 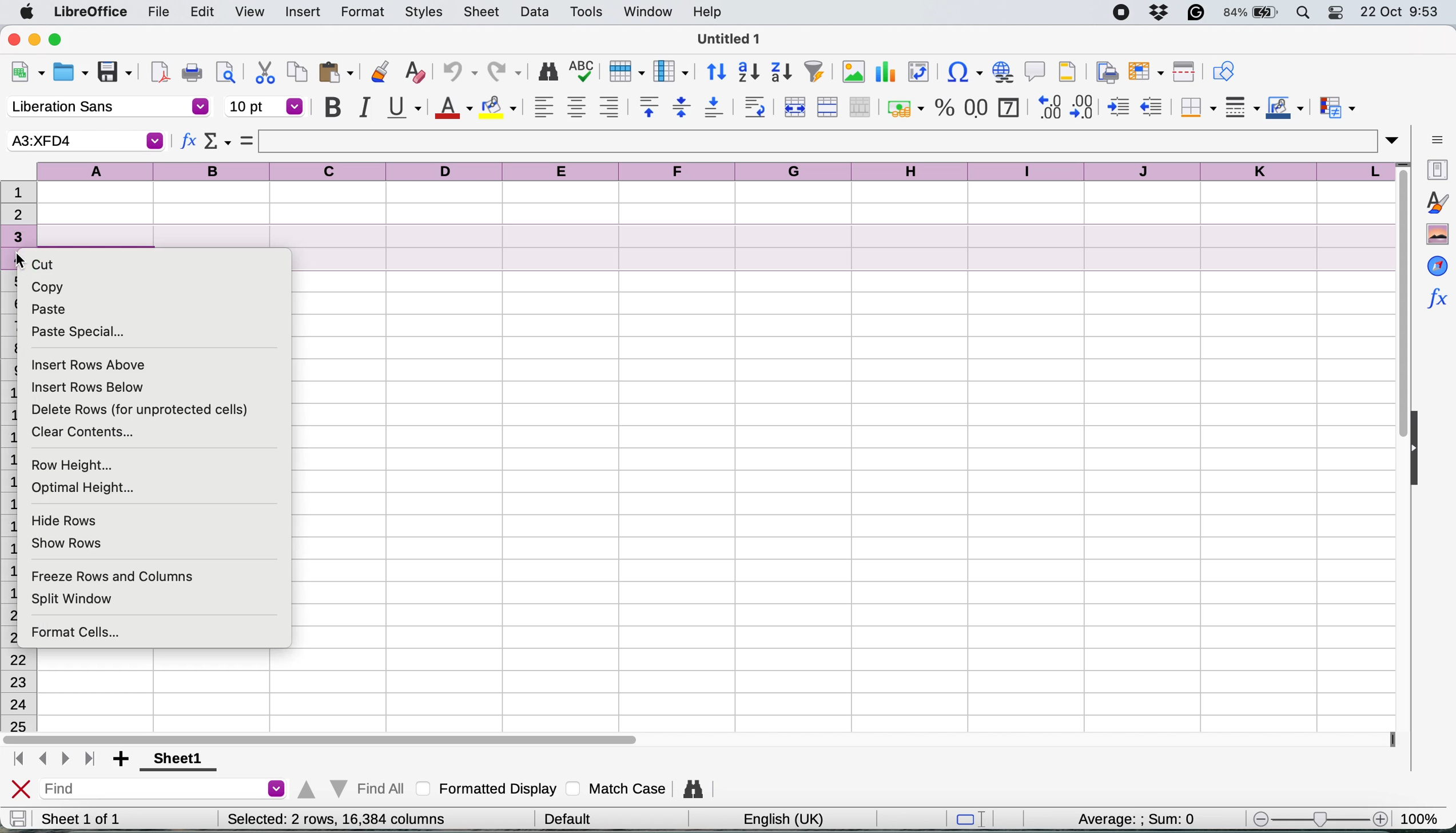 What do you see at coordinates (671, 70) in the screenshot?
I see `column` at bounding box center [671, 70].